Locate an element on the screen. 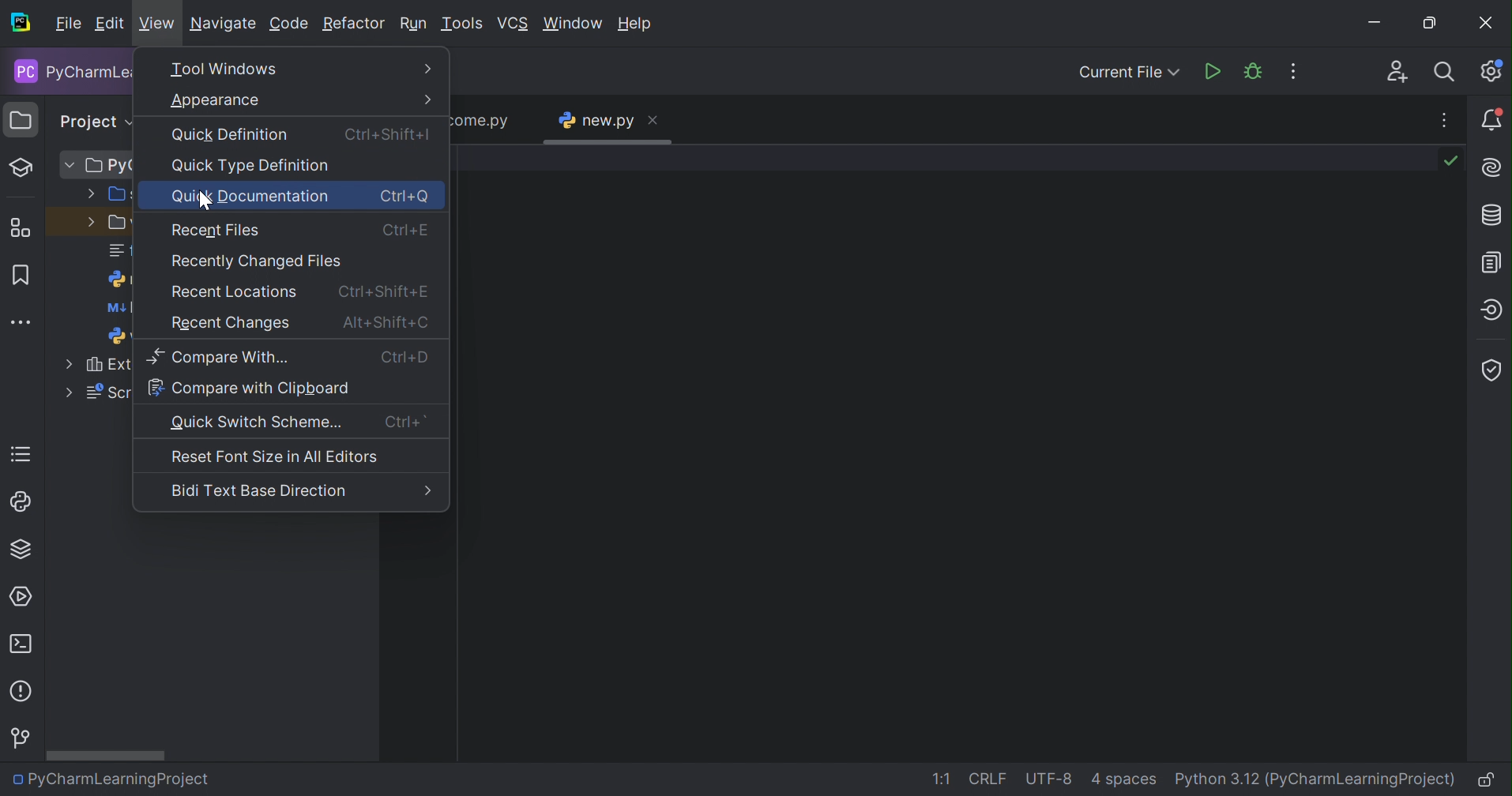 Image resolution: width=1512 pixels, height=796 pixels. File is located at coordinates (67, 24).